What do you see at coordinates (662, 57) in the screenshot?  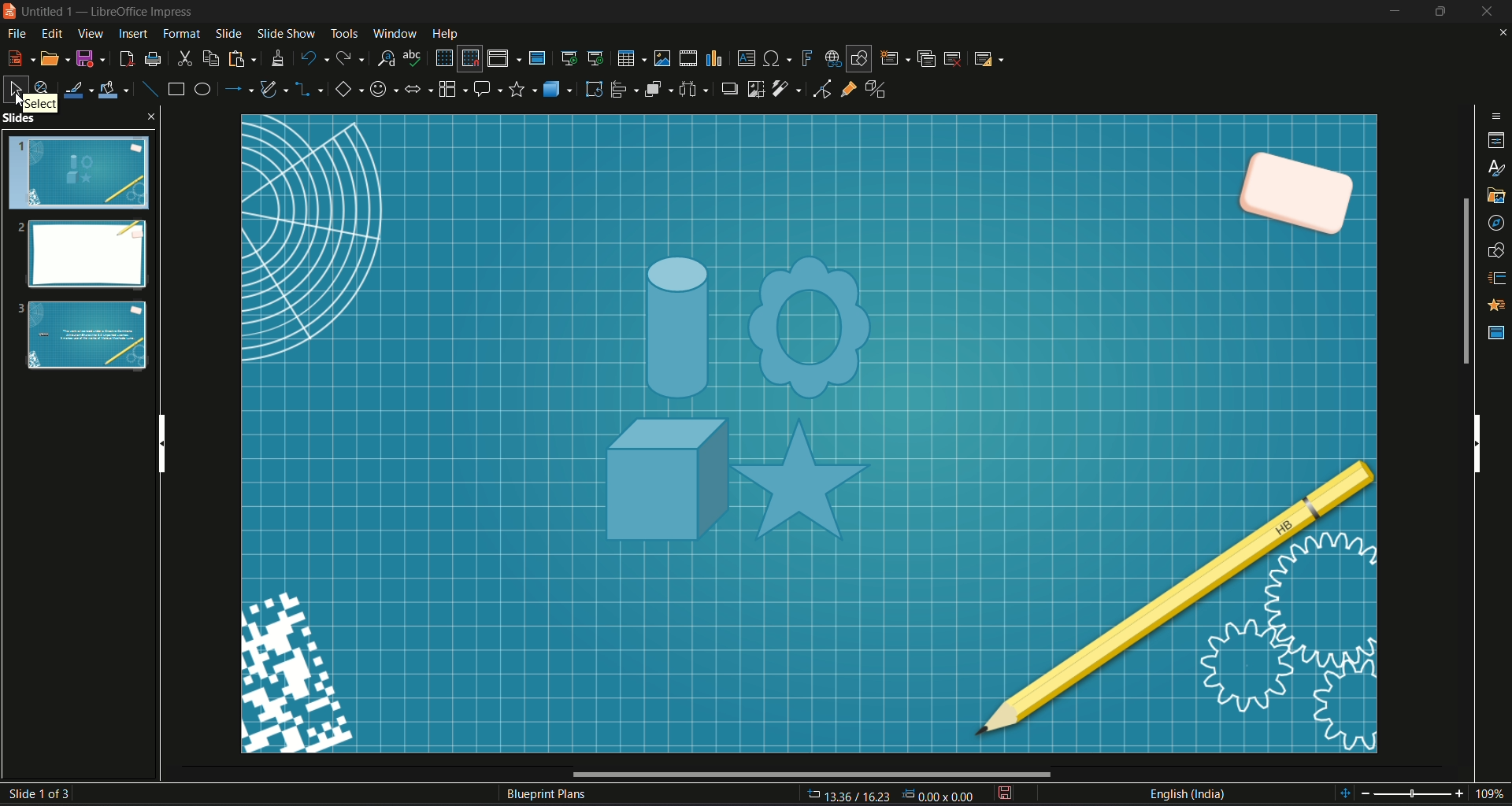 I see `insert image` at bounding box center [662, 57].